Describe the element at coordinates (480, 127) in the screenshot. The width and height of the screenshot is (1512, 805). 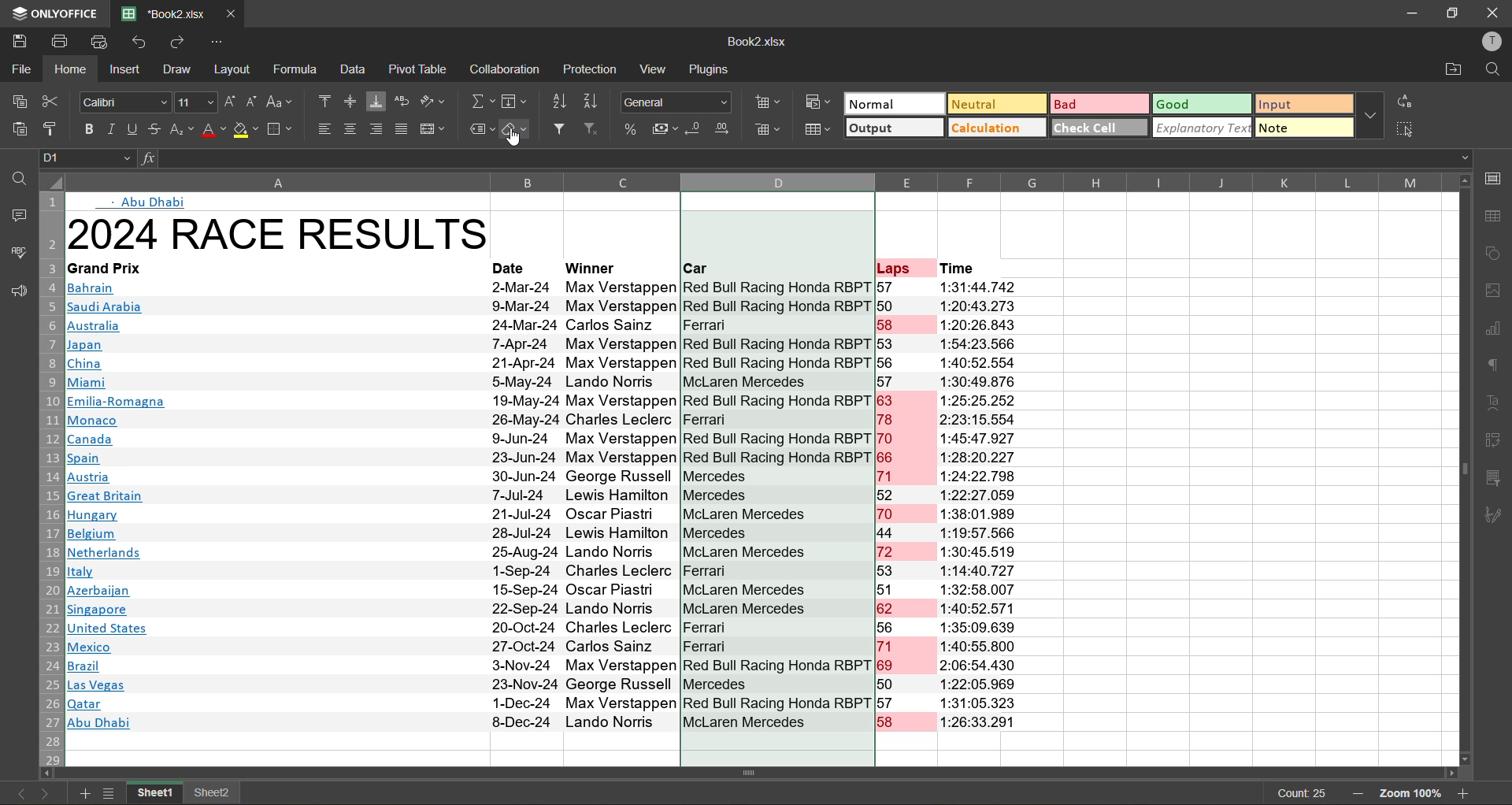
I see `named ranges` at that location.